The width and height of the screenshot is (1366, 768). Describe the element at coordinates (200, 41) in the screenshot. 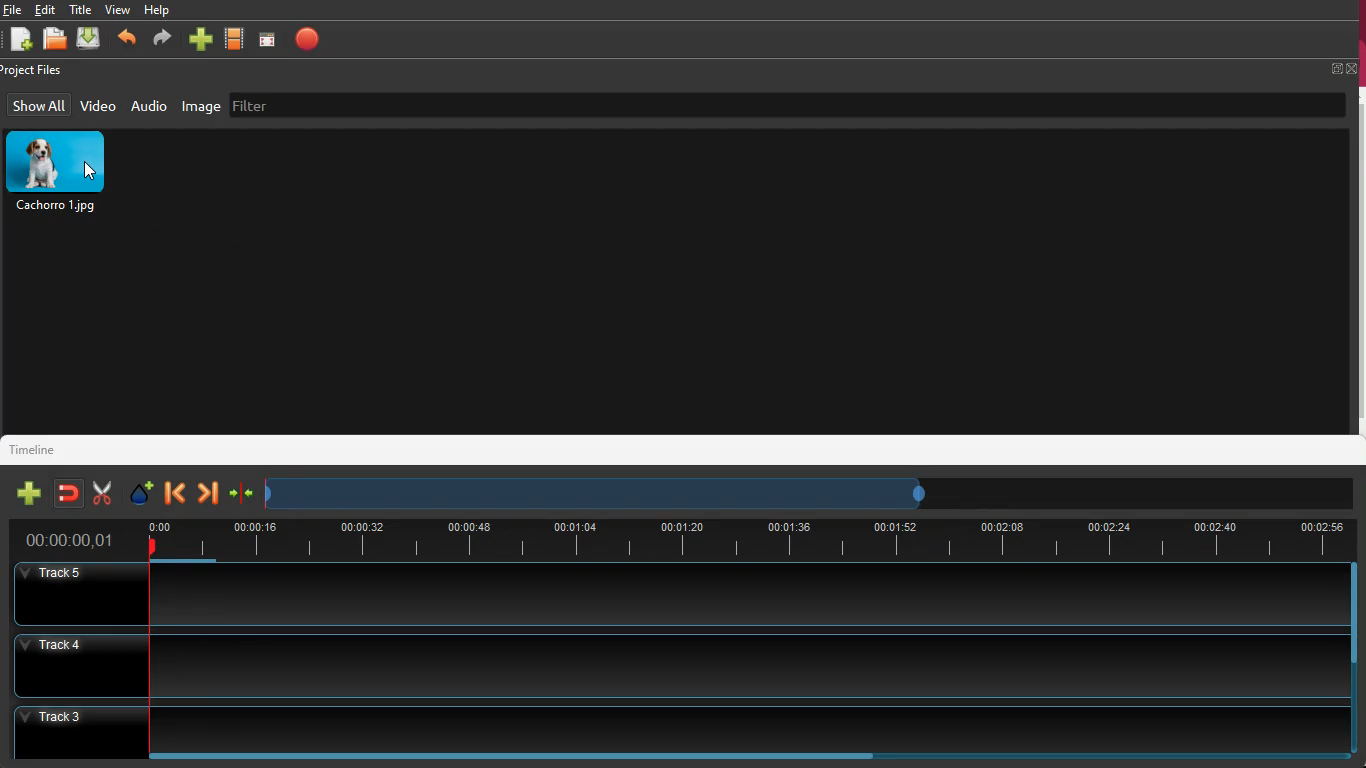

I see `add` at that location.